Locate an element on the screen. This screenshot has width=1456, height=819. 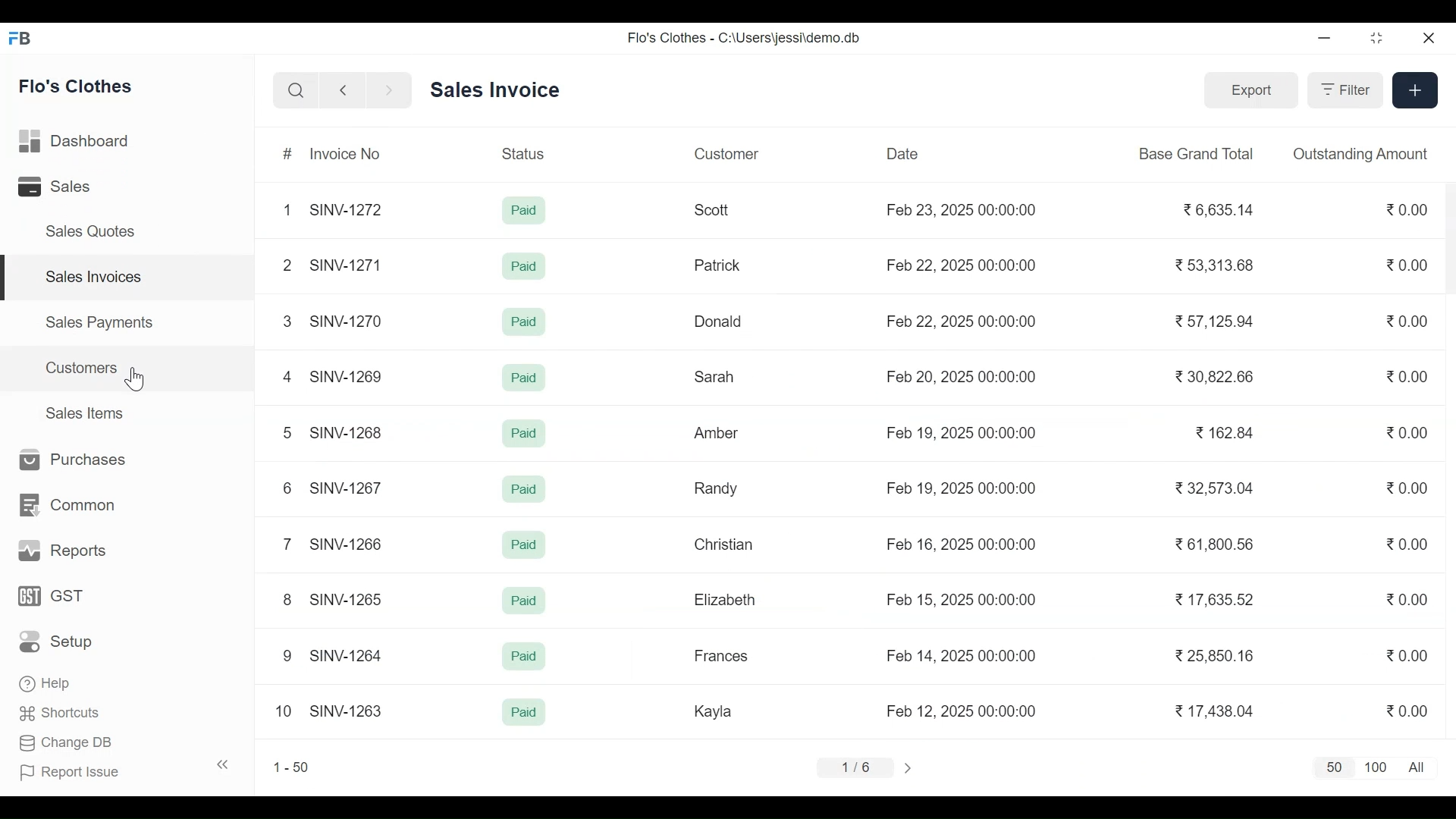
Help is located at coordinates (47, 681).